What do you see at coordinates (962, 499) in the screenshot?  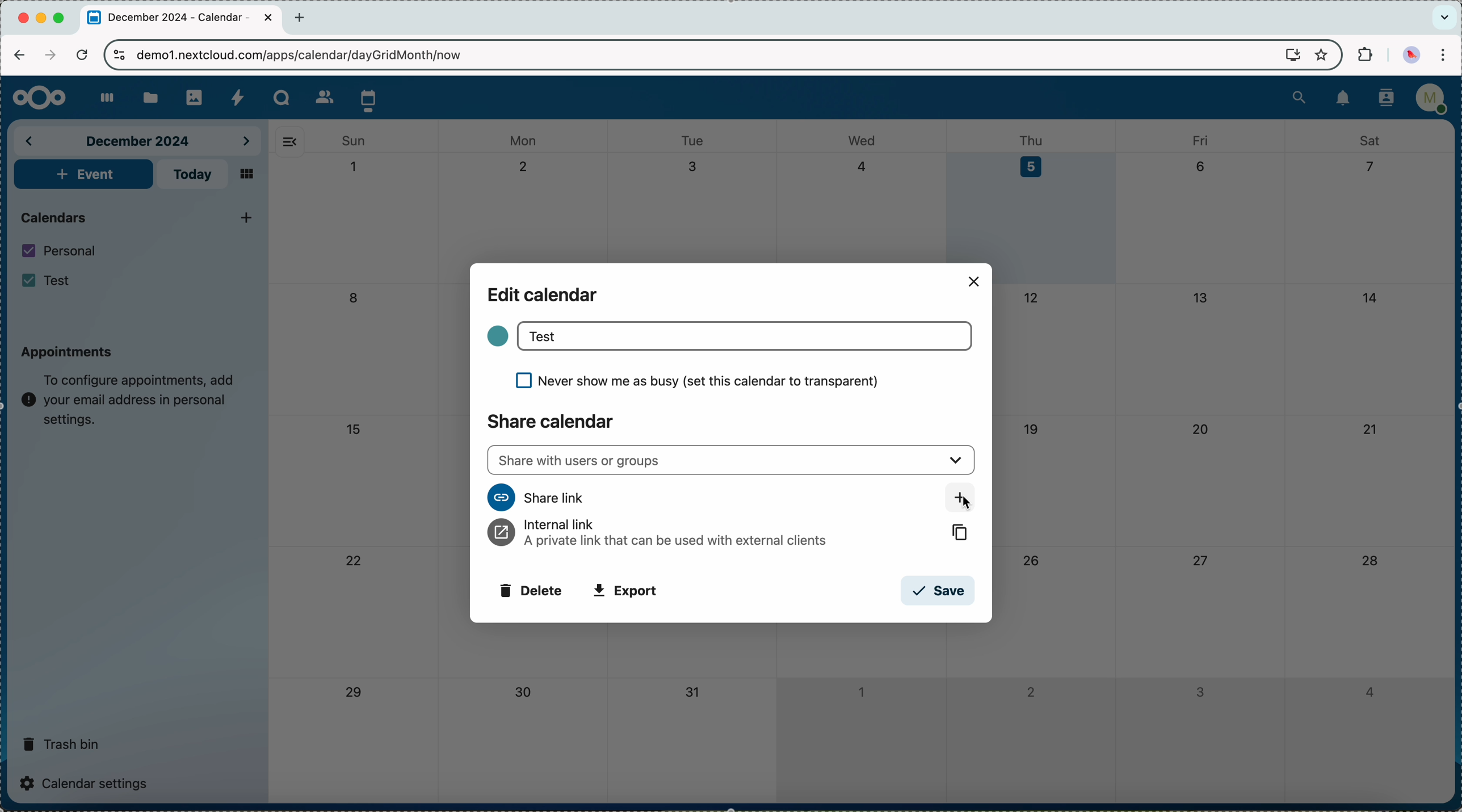 I see `click on share link` at bounding box center [962, 499].